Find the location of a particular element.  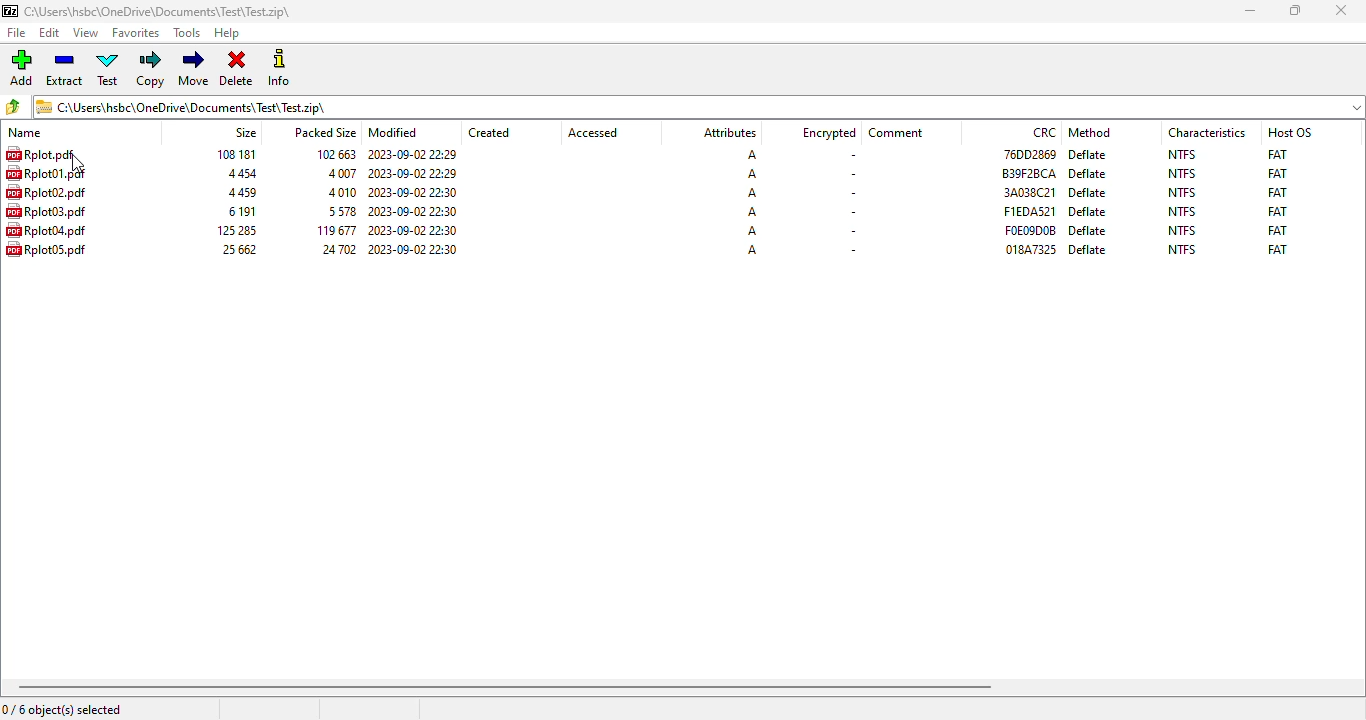

packed size is located at coordinates (340, 173).